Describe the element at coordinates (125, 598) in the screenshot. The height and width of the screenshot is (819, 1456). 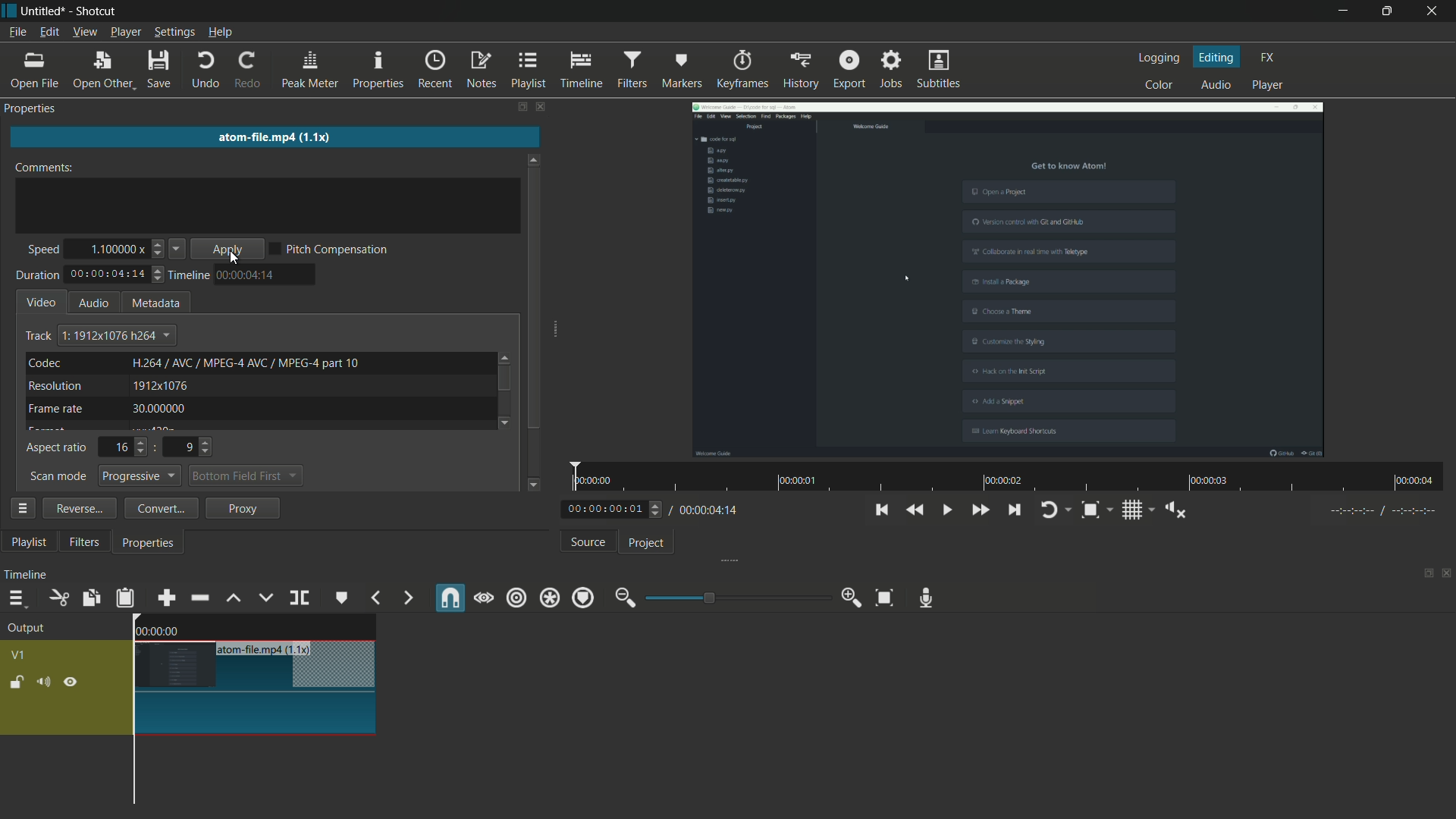
I see `paste` at that location.